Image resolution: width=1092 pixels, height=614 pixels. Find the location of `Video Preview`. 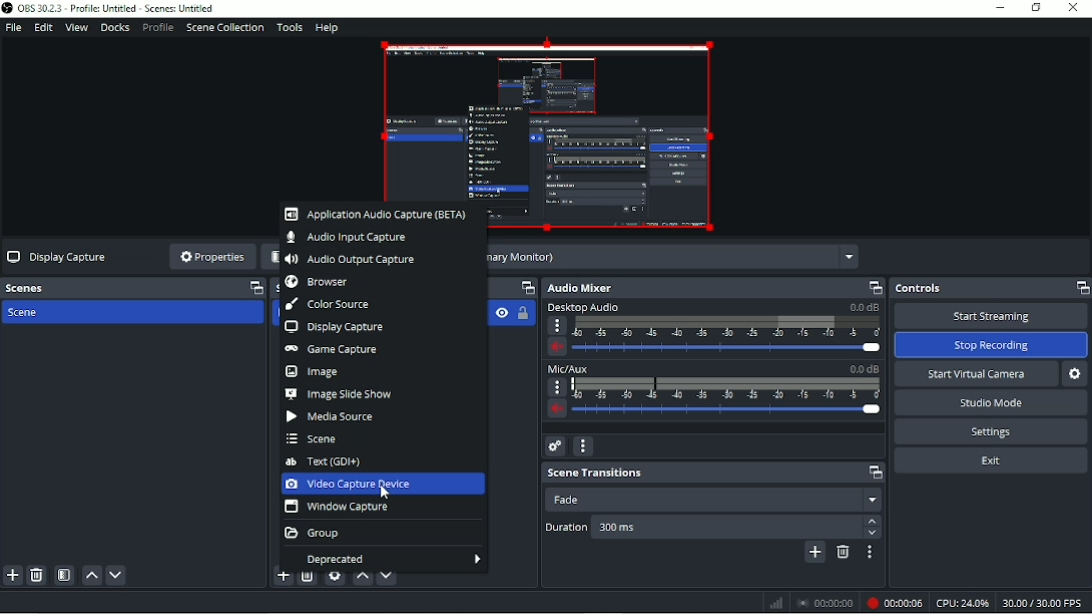

Video Preview is located at coordinates (545, 118).